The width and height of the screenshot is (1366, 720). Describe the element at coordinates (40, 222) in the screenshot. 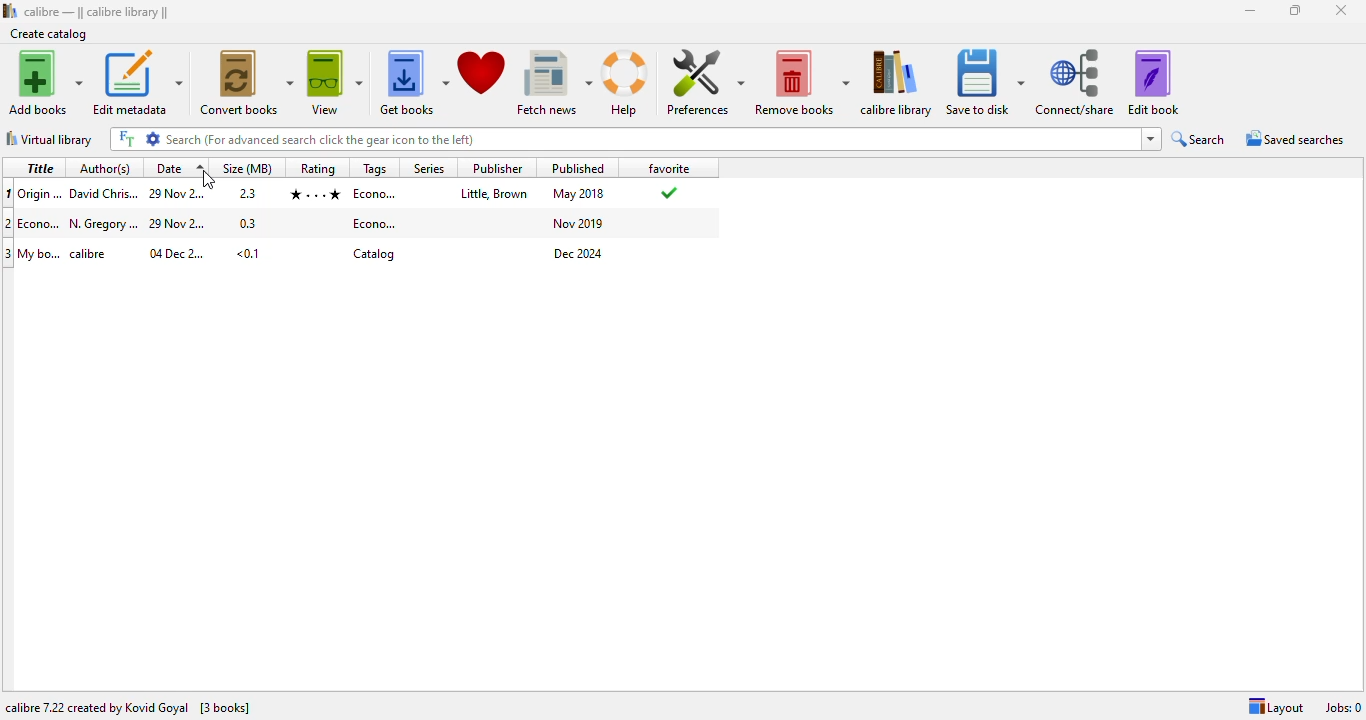

I see `title` at that location.